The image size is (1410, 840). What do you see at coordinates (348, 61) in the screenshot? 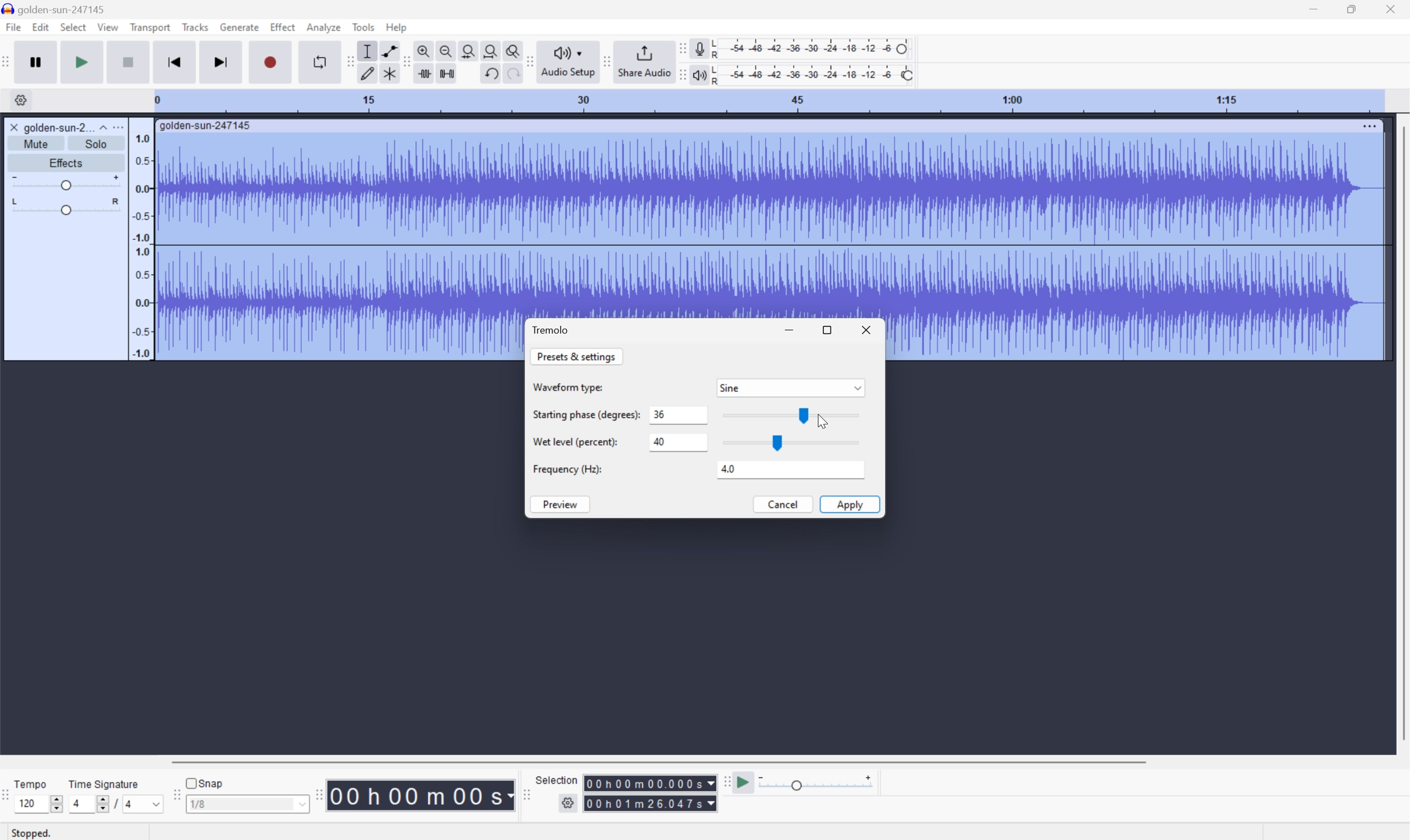
I see `Audacity tools toolbar` at bounding box center [348, 61].